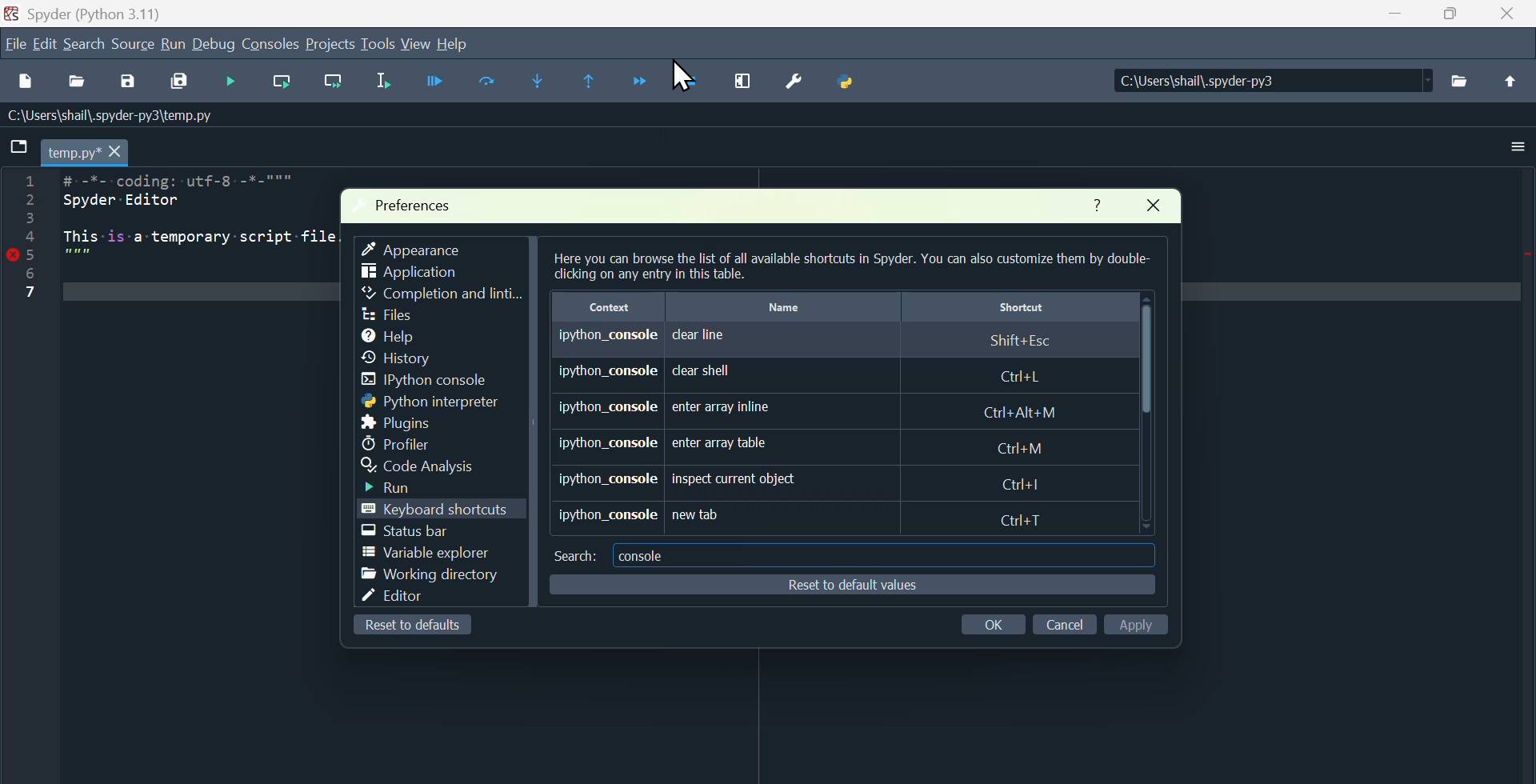 The image size is (1536, 784). What do you see at coordinates (1390, 19) in the screenshot?
I see `minimise` at bounding box center [1390, 19].